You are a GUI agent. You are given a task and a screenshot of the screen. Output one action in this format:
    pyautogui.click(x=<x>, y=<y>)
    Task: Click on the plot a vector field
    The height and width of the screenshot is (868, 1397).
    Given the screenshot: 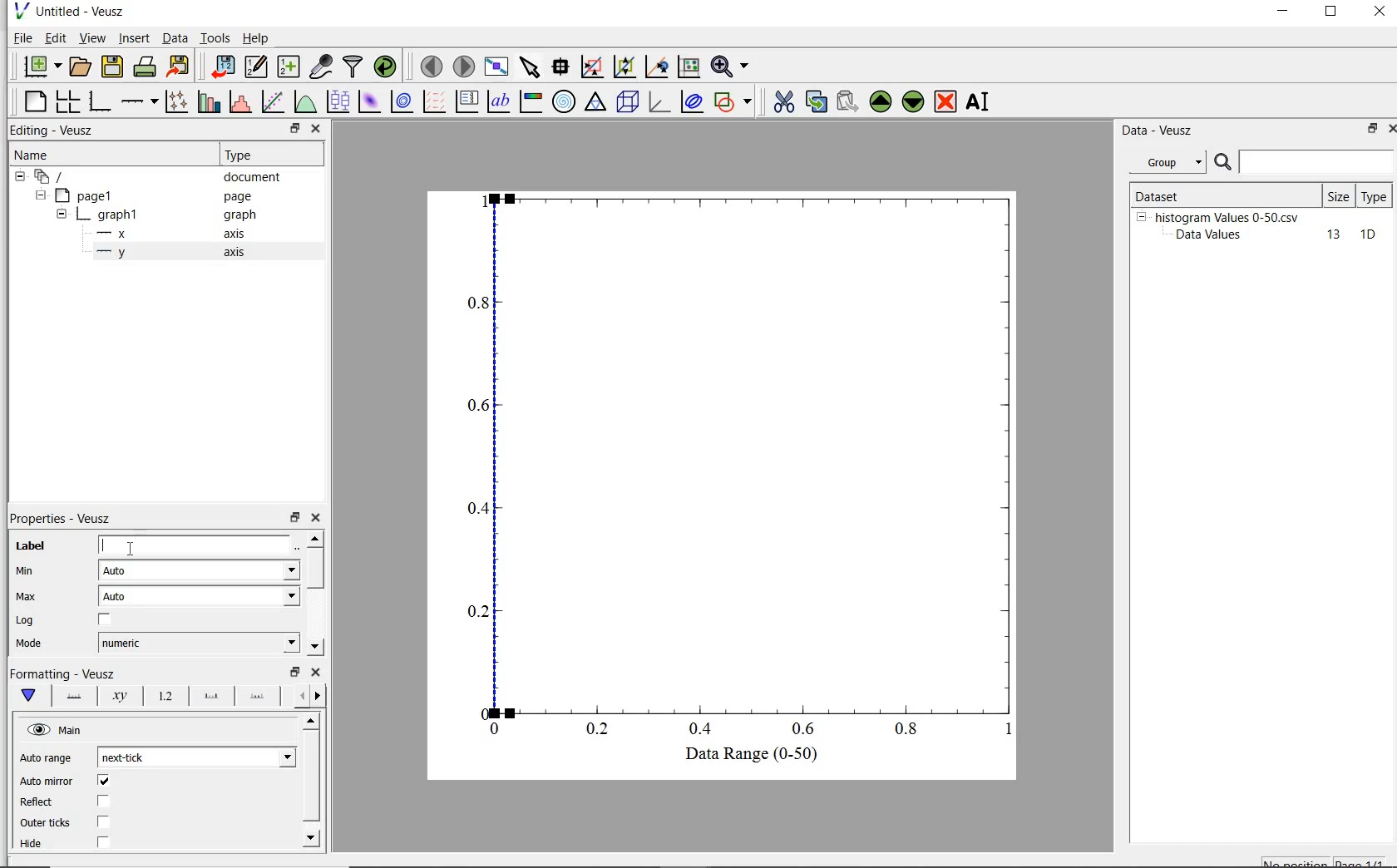 What is the action you would take?
    pyautogui.click(x=436, y=101)
    